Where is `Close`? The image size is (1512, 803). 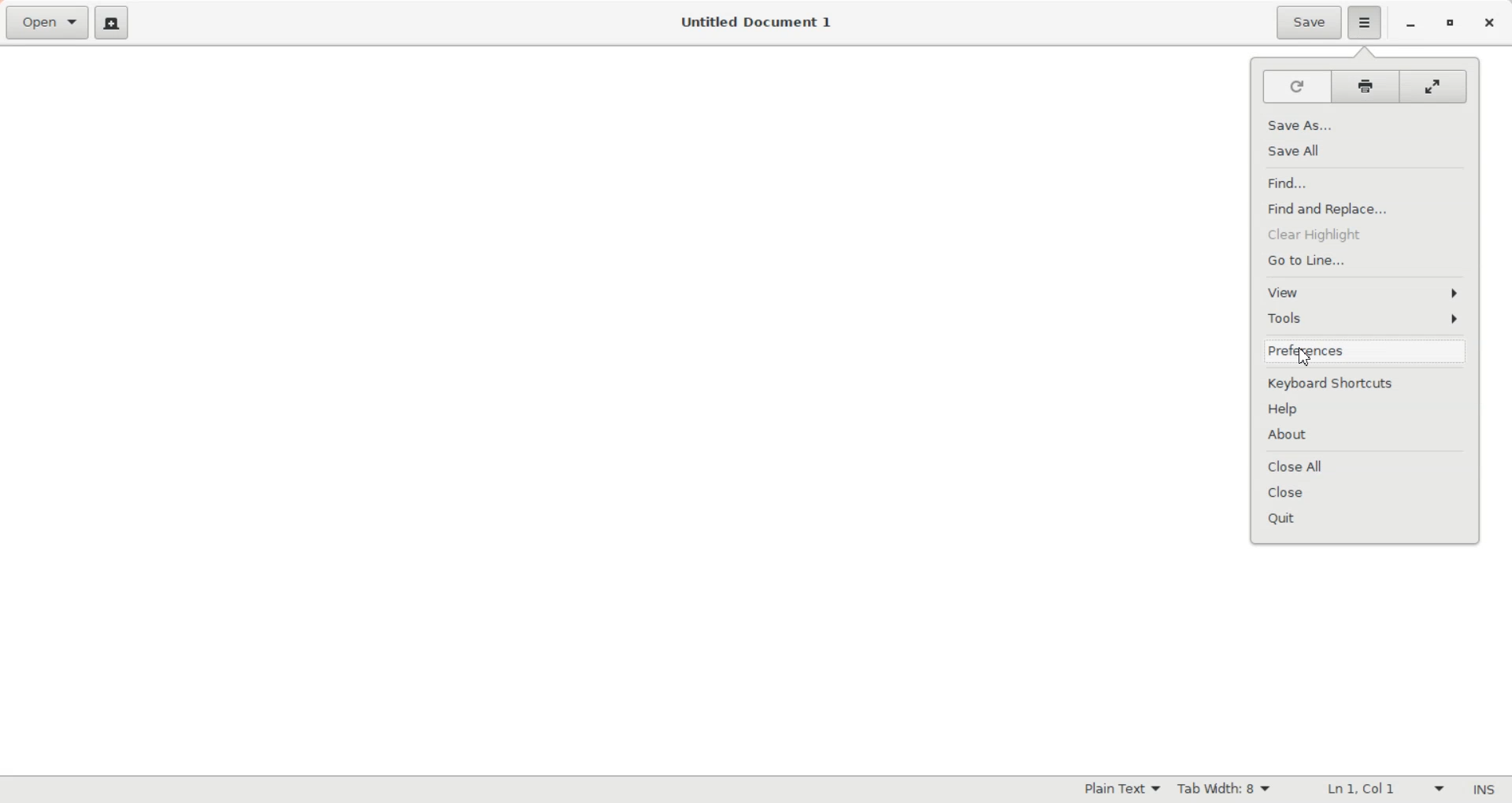
Close is located at coordinates (1489, 24).